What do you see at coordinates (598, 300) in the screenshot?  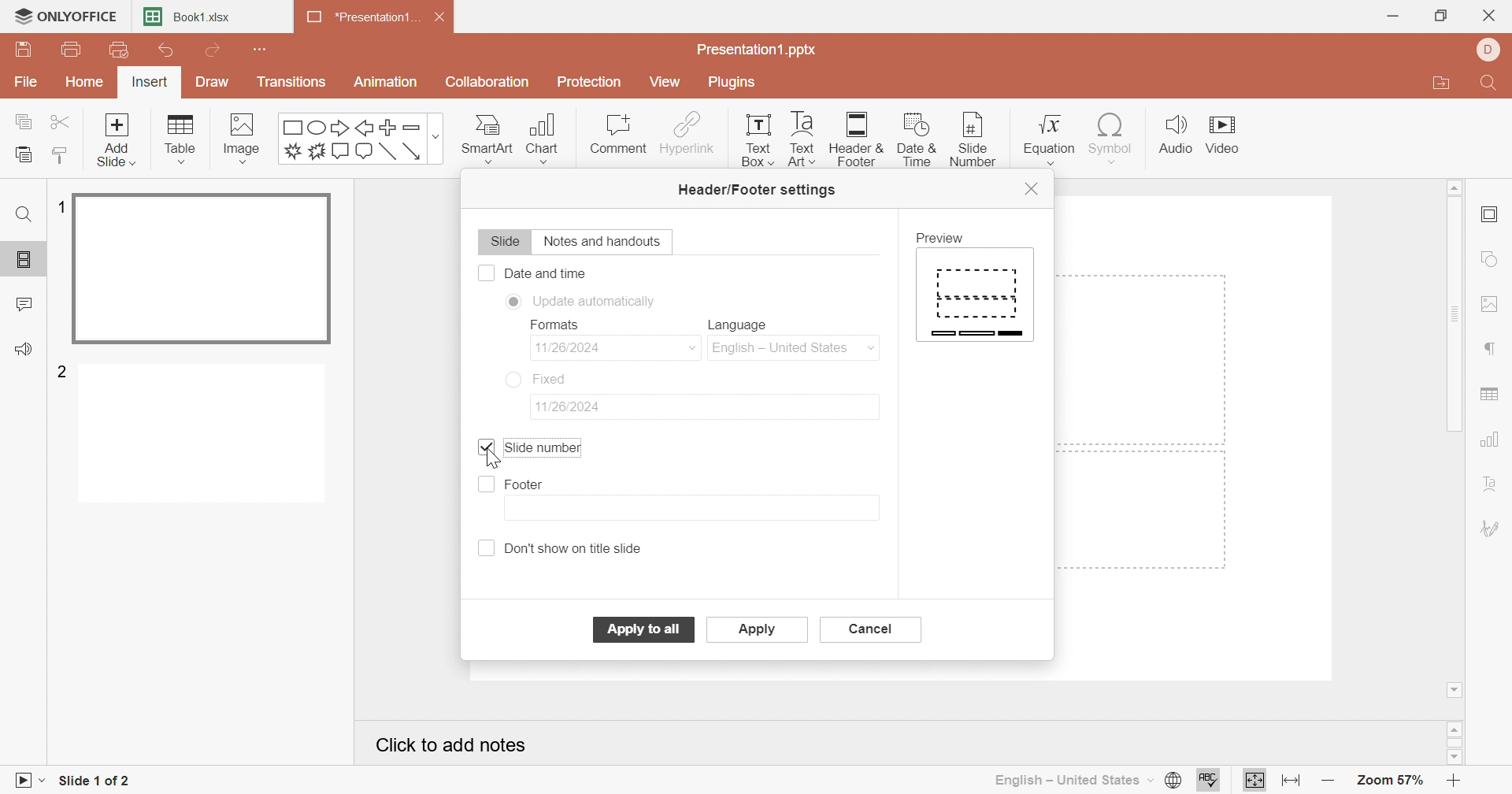 I see `Update automatically` at bounding box center [598, 300].